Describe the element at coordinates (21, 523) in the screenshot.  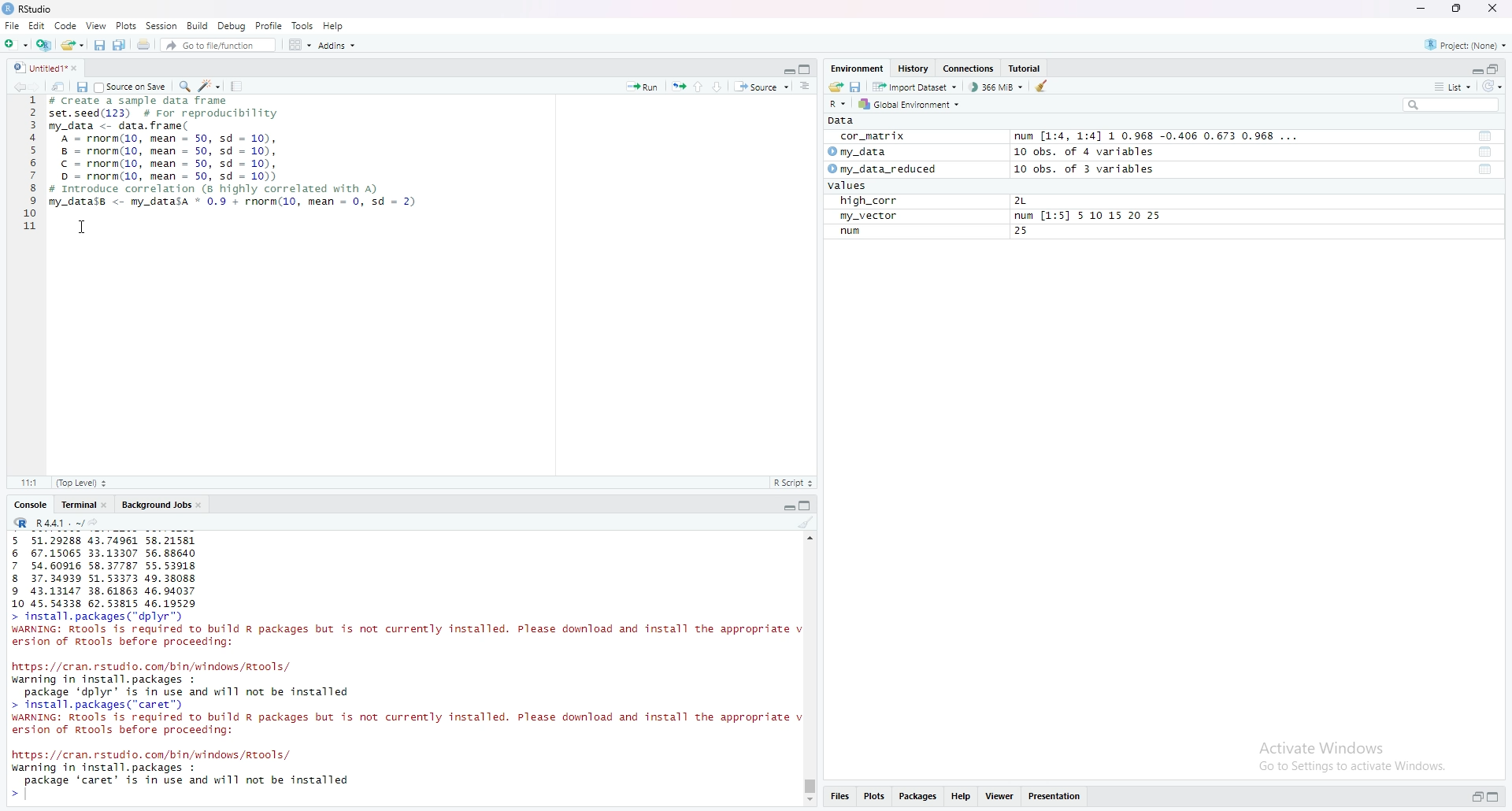
I see `R` at that location.